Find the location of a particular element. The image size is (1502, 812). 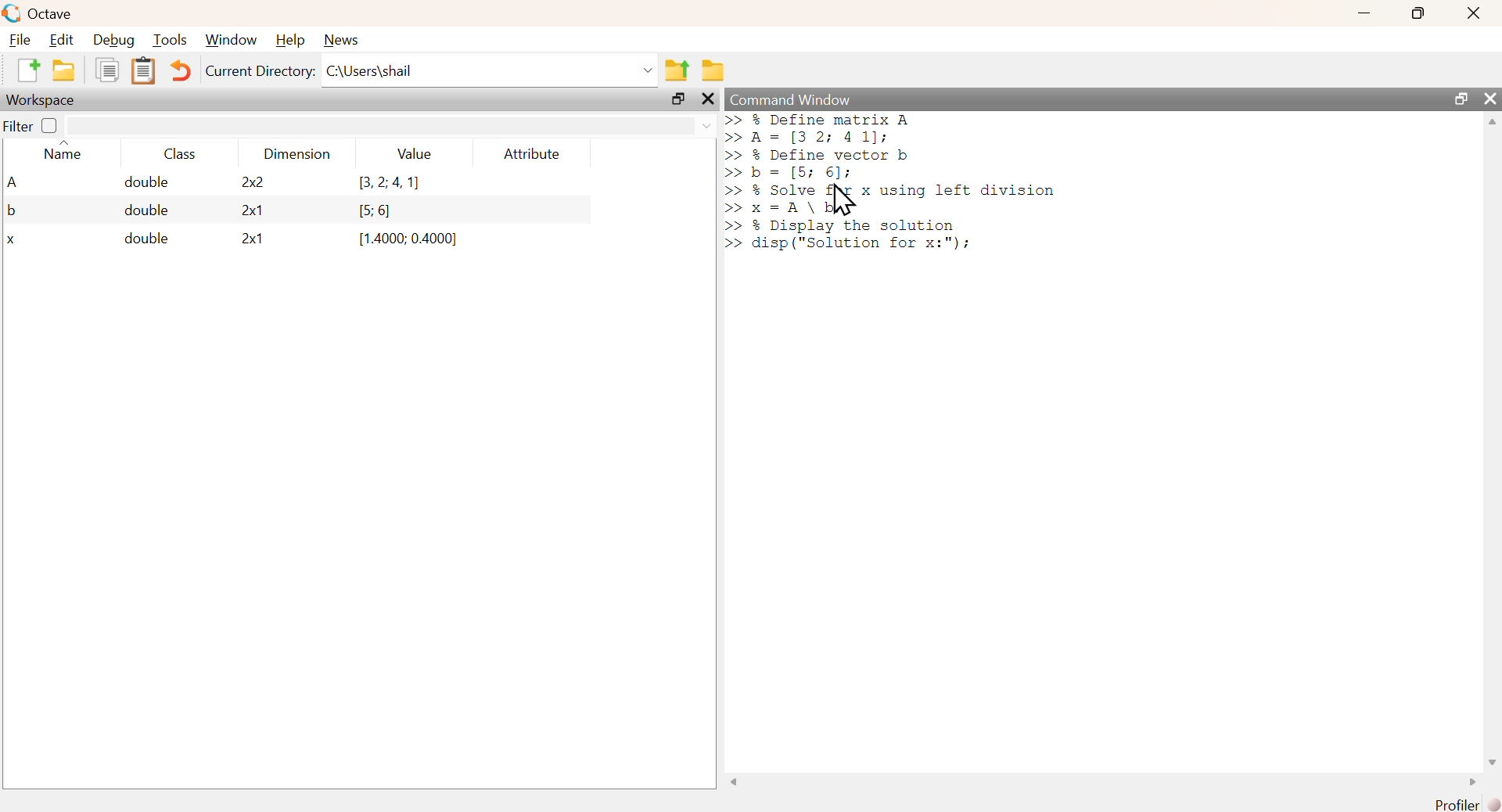

2x2 is located at coordinates (243, 183).